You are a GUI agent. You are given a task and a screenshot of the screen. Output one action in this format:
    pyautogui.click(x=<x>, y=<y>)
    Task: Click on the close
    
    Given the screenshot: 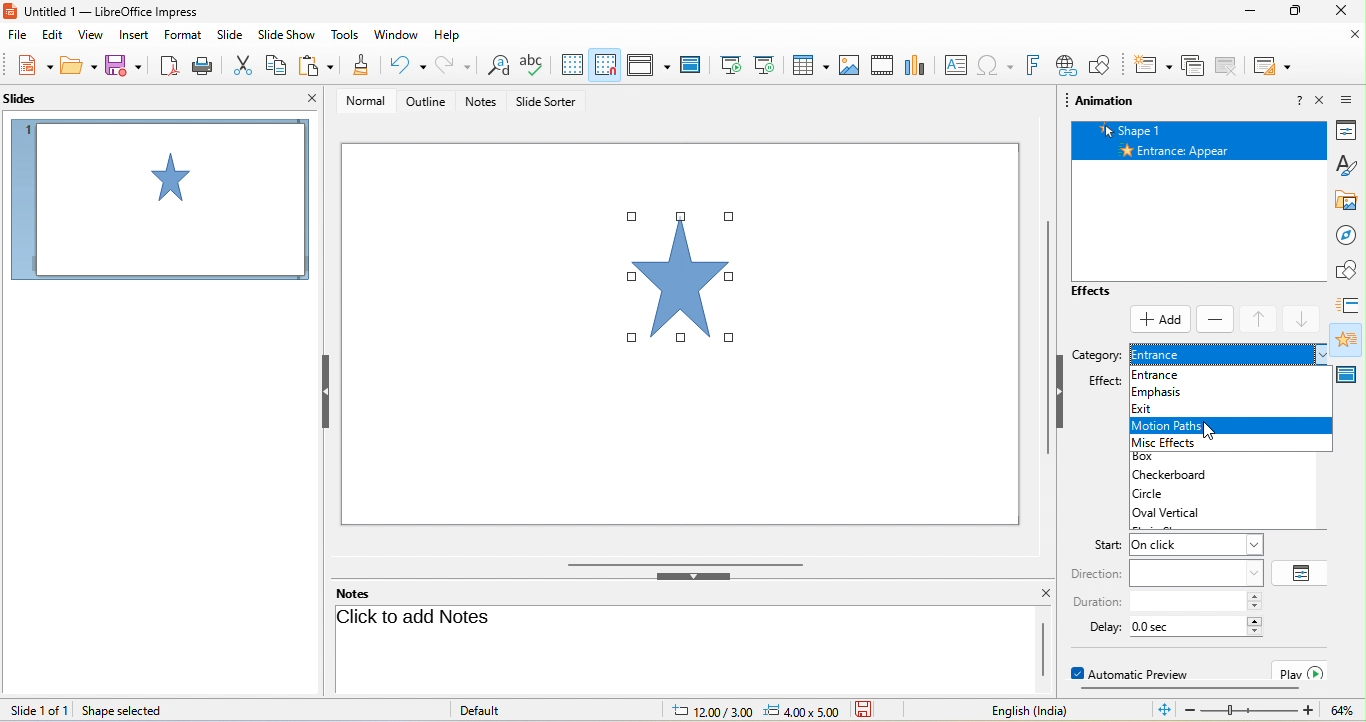 What is the action you would take?
    pyautogui.click(x=308, y=99)
    